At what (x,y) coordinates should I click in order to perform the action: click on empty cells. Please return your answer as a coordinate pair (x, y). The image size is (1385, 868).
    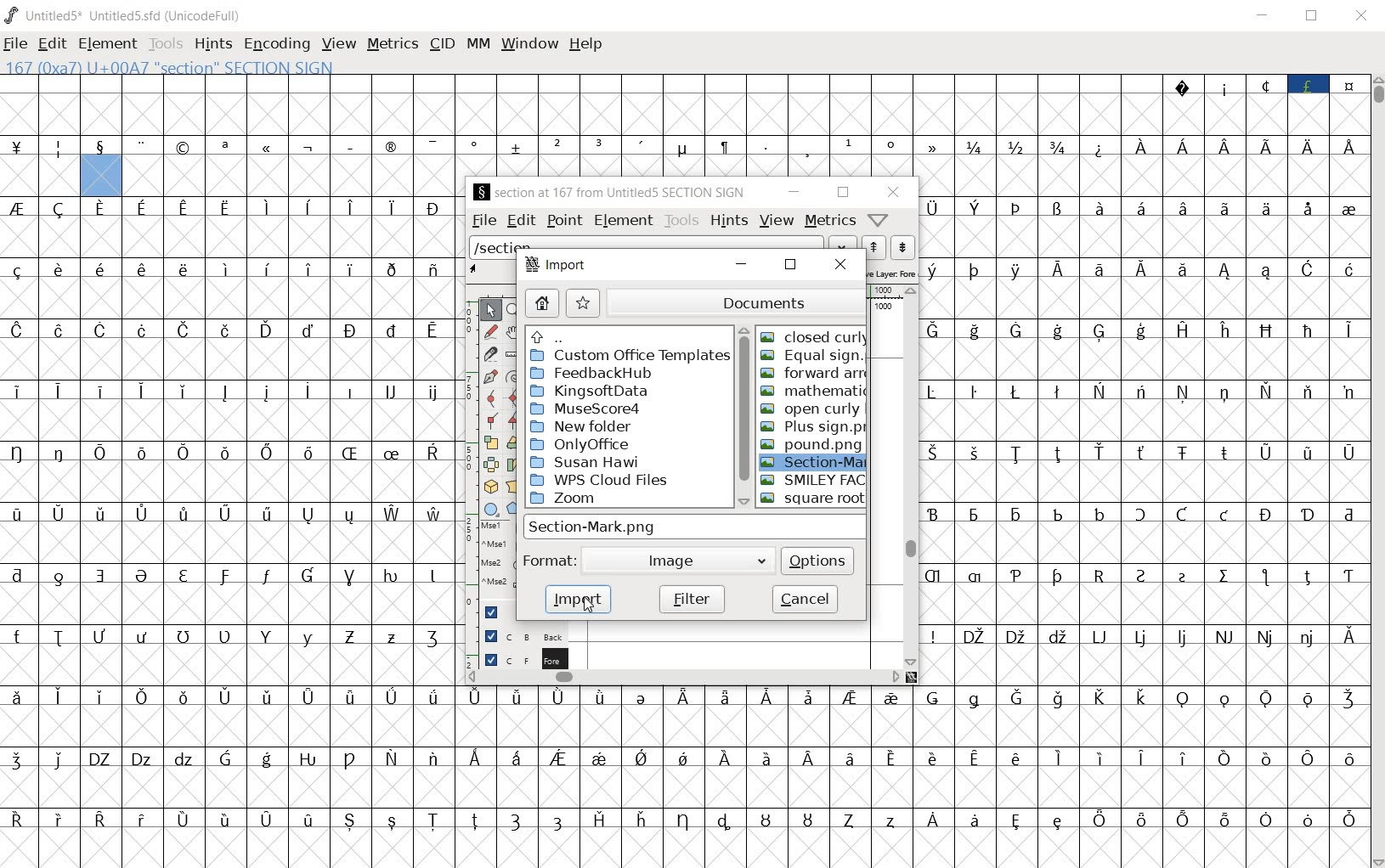
    Looking at the image, I should click on (41, 177).